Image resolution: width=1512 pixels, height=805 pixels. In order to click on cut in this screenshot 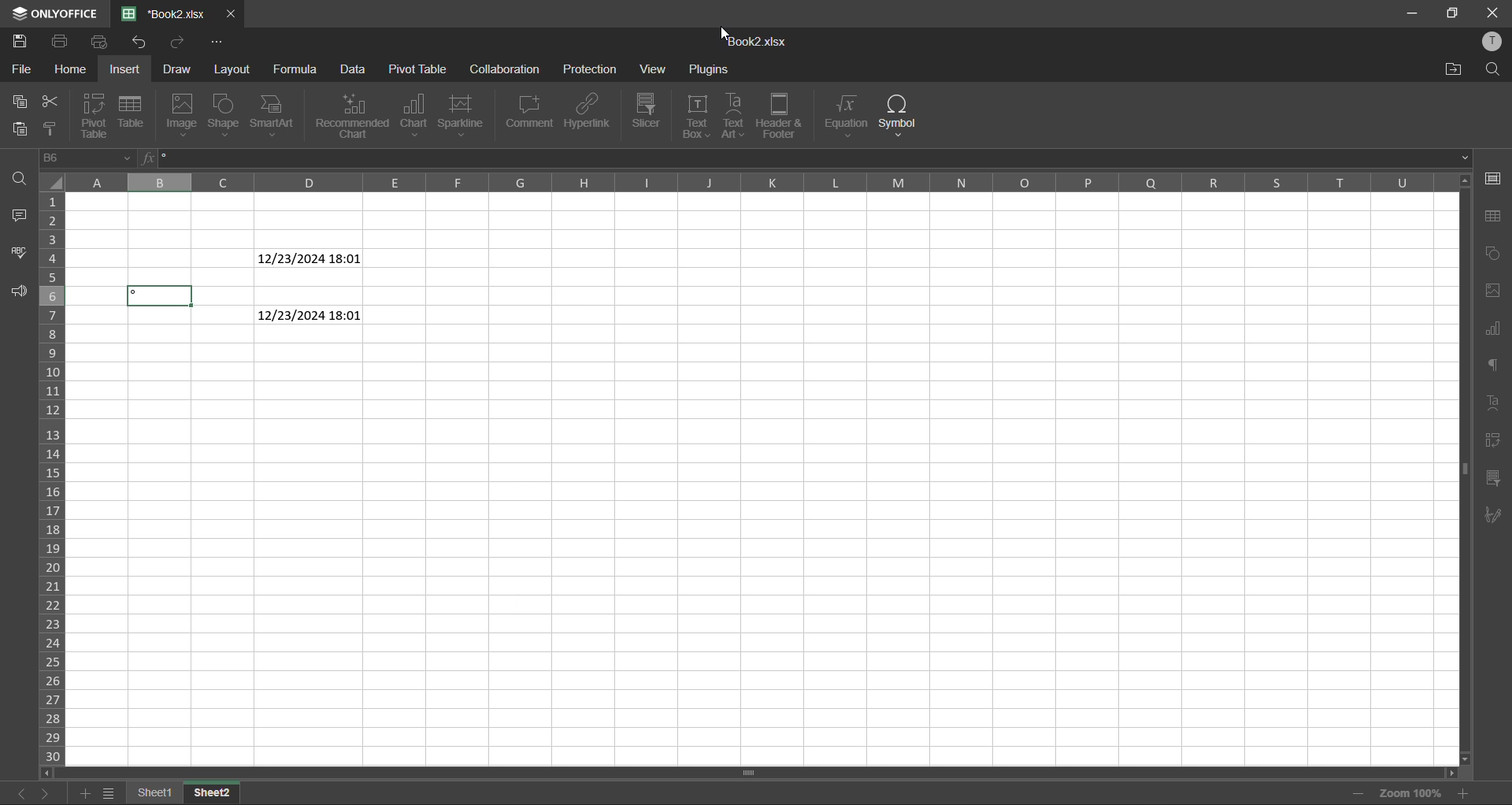, I will do `click(54, 100)`.